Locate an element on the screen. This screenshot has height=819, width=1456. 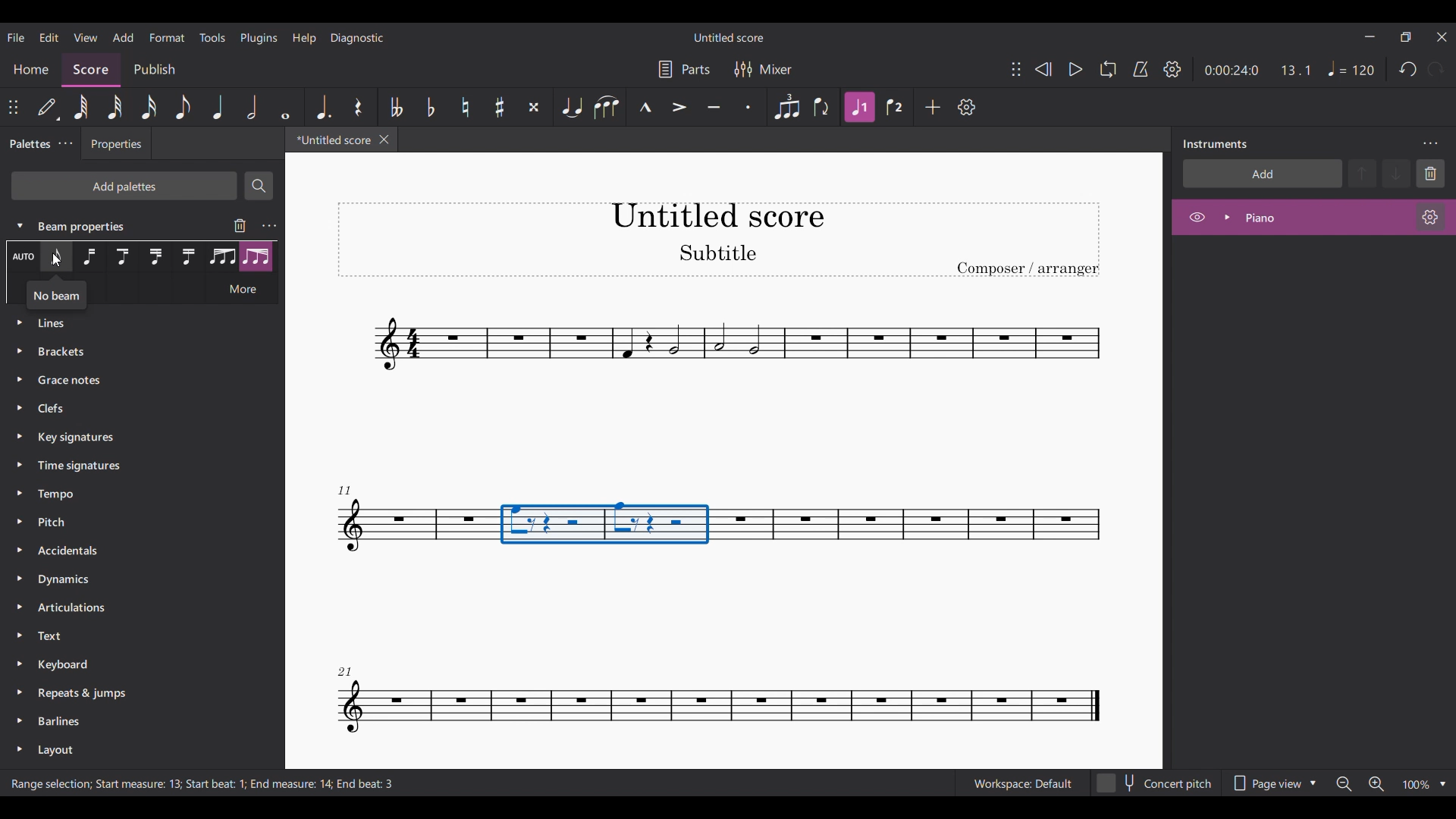
Accidentals is located at coordinates (126, 552).